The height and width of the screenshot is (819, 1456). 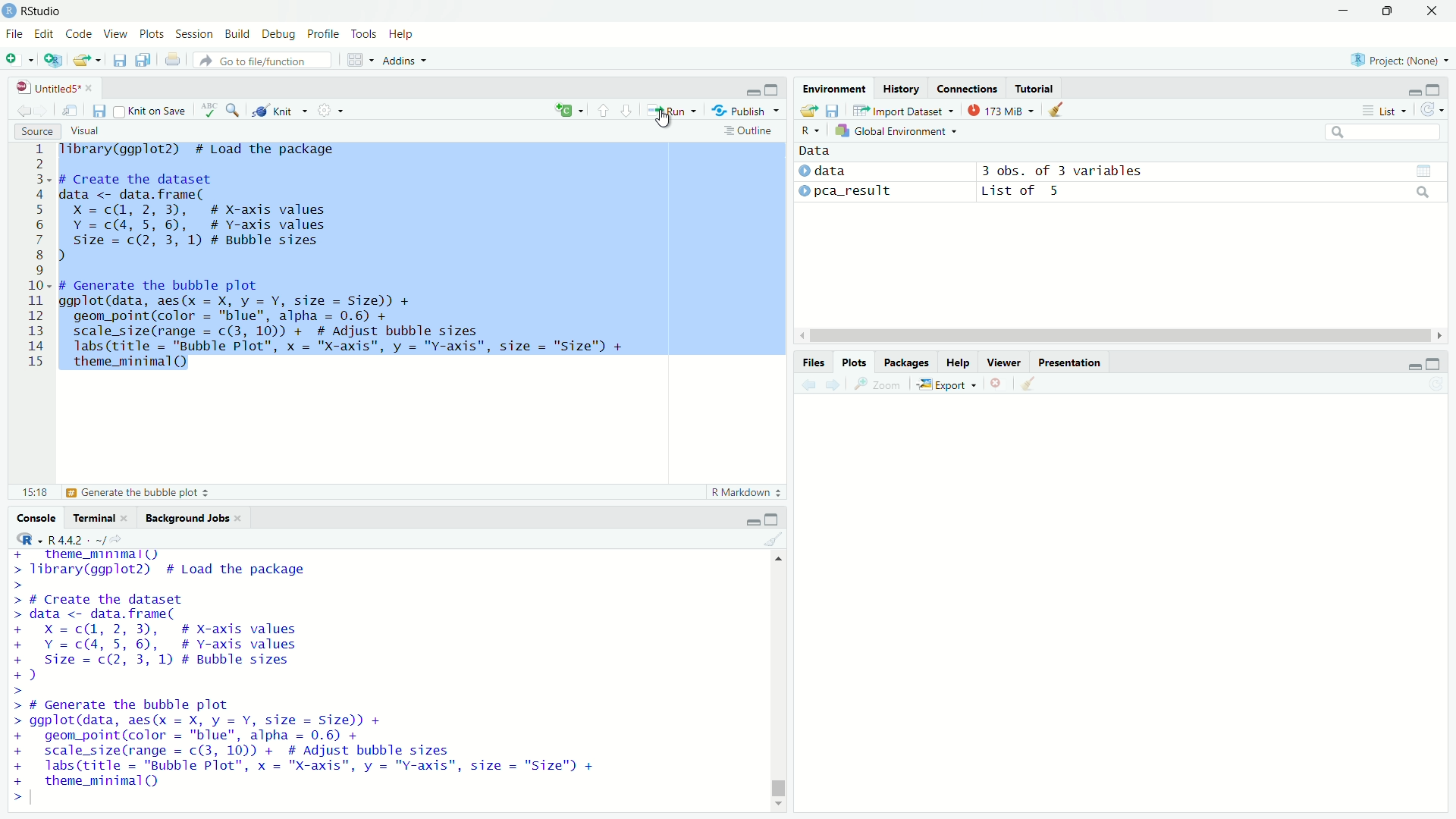 What do you see at coordinates (234, 108) in the screenshot?
I see `find and replace` at bounding box center [234, 108].